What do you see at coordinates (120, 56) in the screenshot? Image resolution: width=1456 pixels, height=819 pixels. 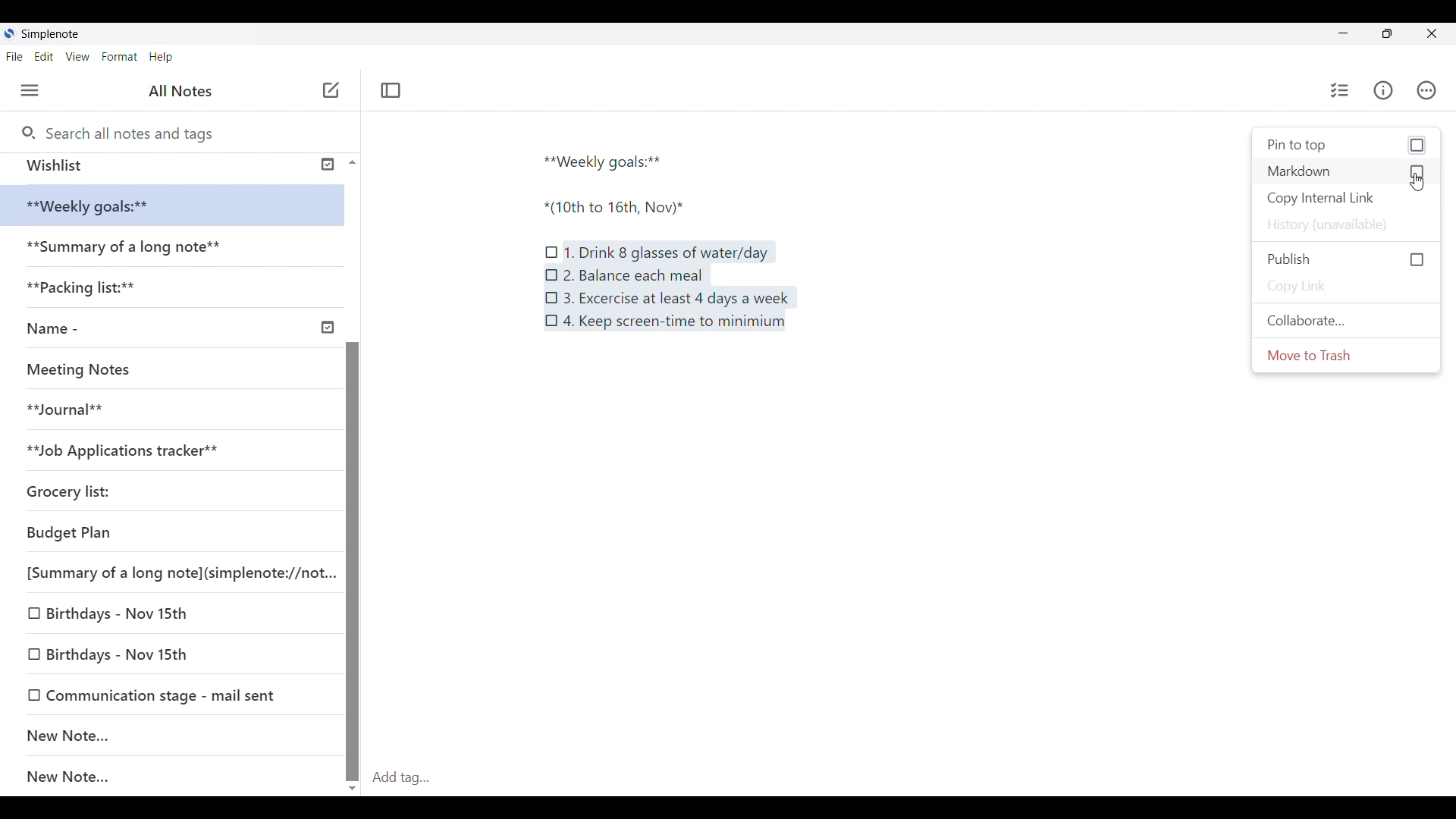 I see `Format` at bounding box center [120, 56].